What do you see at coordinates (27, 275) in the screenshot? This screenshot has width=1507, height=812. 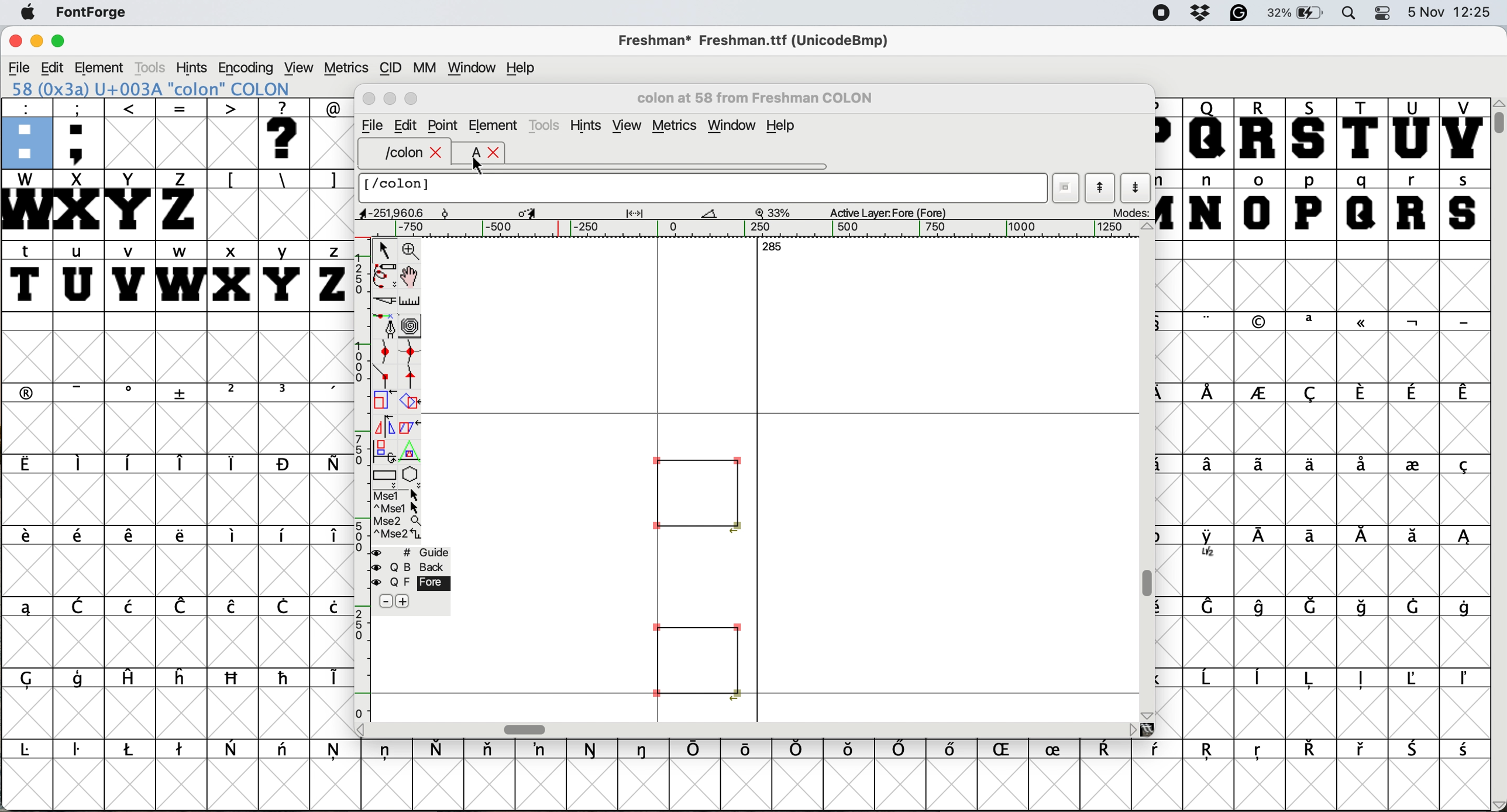 I see `t` at bounding box center [27, 275].